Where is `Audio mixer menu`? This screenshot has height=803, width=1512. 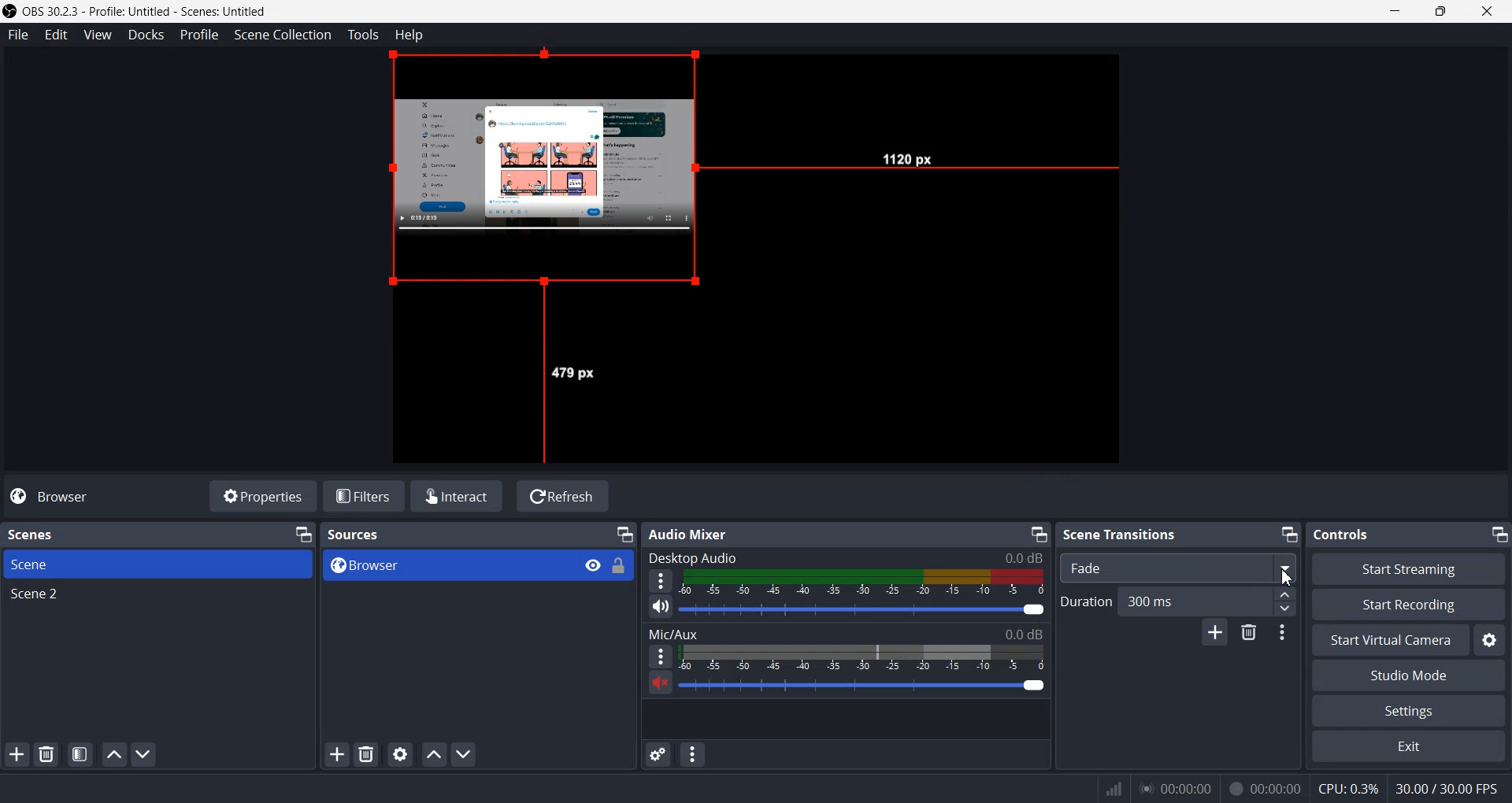
Audio mixer menu is located at coordinates (694, 753).